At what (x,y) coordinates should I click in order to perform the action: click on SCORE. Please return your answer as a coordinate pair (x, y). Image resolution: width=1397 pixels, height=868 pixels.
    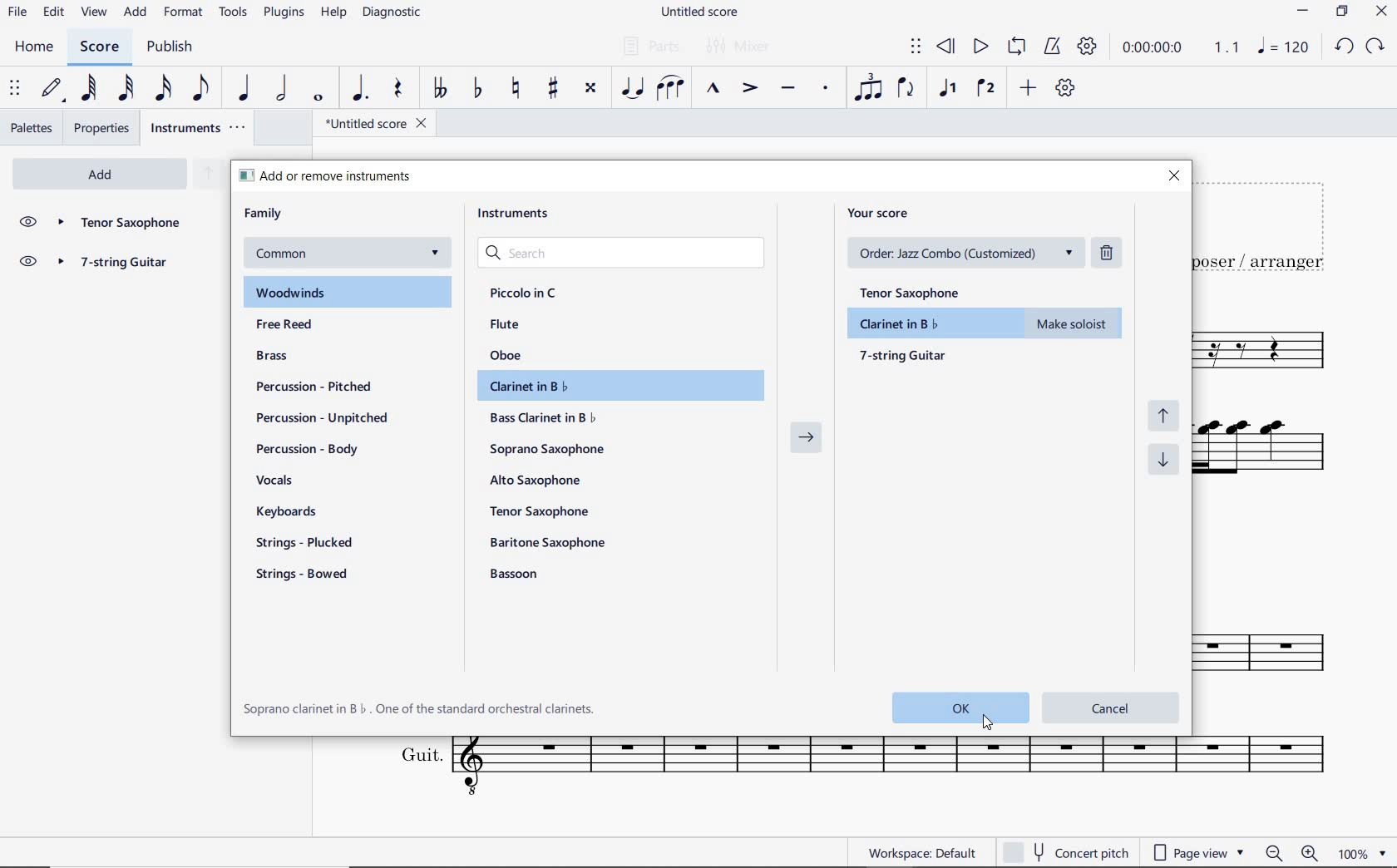
    Looking at the image, I should click on (97, 47).